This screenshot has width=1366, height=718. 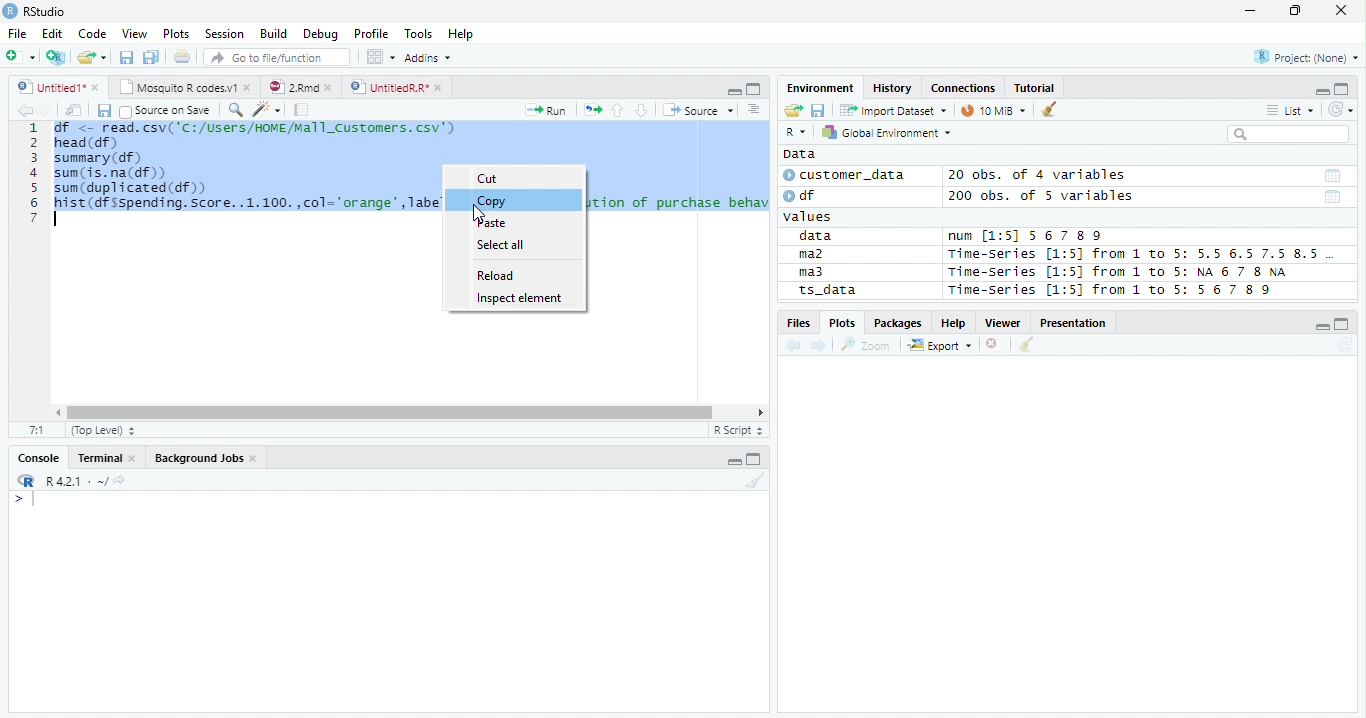 I want to click on Date, so click(x=1333, y=198).